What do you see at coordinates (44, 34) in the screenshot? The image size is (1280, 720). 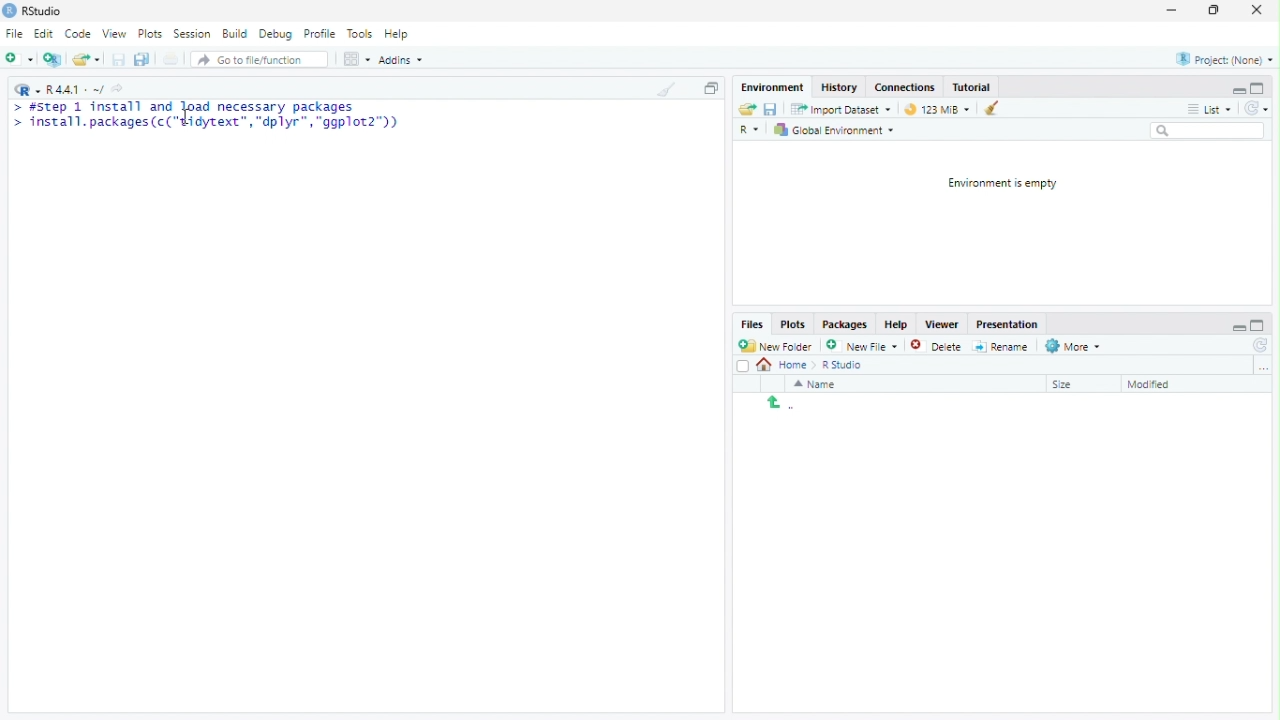 I see `Edit` at bounding box center [44, 34].